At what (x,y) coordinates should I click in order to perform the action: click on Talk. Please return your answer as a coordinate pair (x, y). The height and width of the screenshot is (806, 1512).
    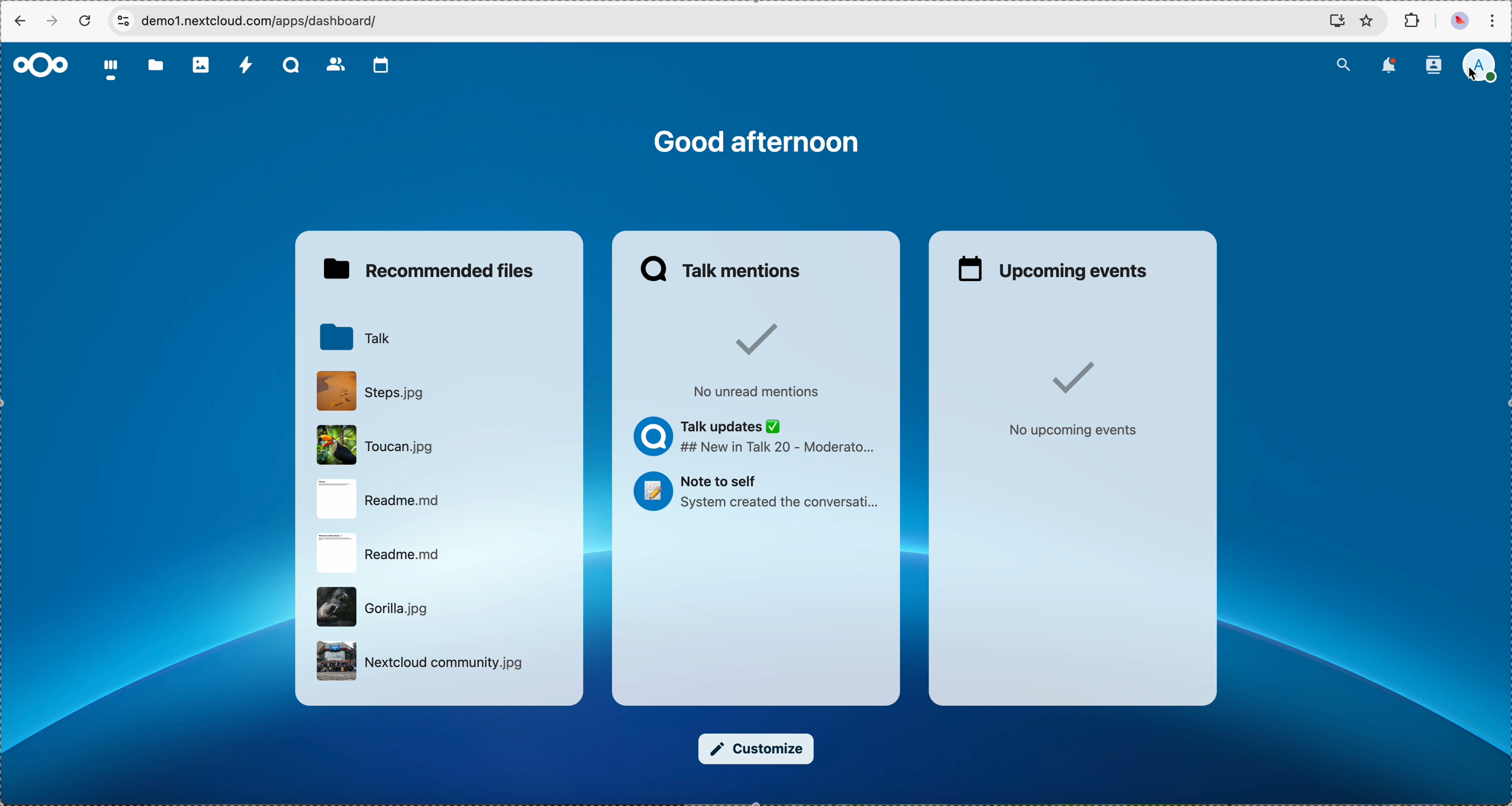
    Looking at the image, I should click on (293, 66).